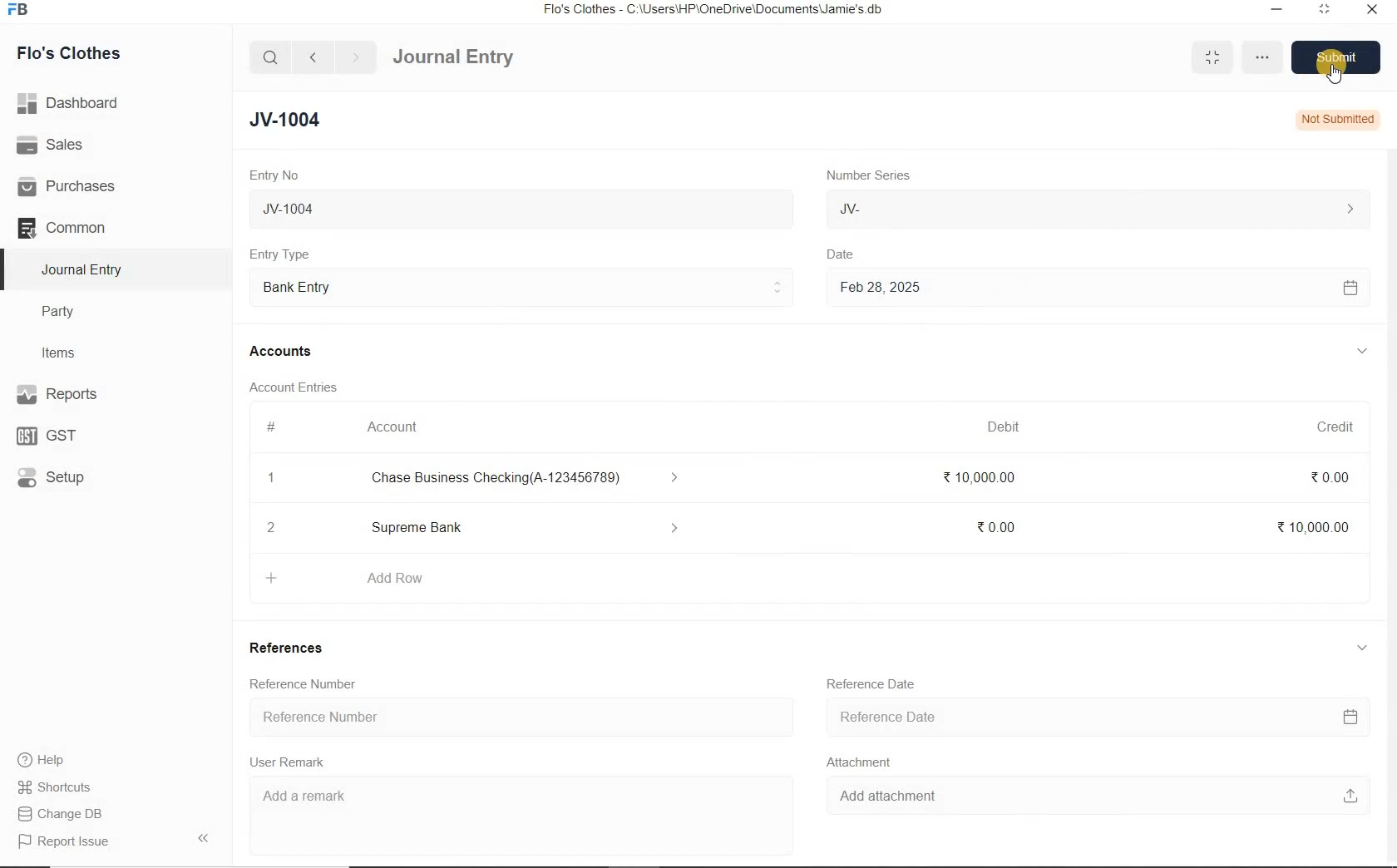 The height and width of the screenshot is (868, 1397). What do you see at coordinates (70, 312) in the screenshot?
I see `Party` at bounding box center [70, 312].